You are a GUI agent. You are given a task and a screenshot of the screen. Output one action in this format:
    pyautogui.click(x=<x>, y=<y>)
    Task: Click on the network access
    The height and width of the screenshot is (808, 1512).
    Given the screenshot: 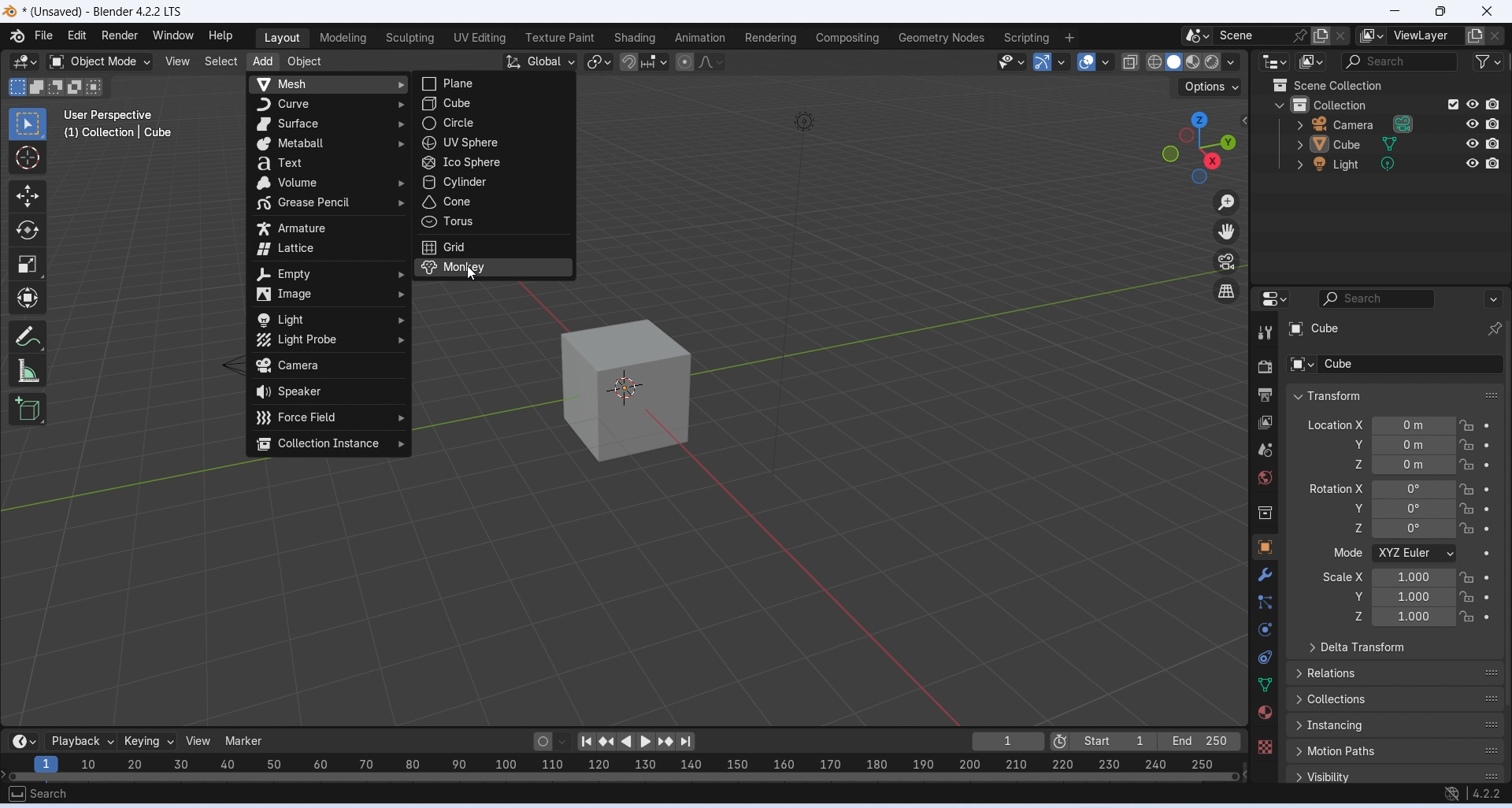 What is the action you would take?
    pyautogui.click(x=1451, y=795)
    